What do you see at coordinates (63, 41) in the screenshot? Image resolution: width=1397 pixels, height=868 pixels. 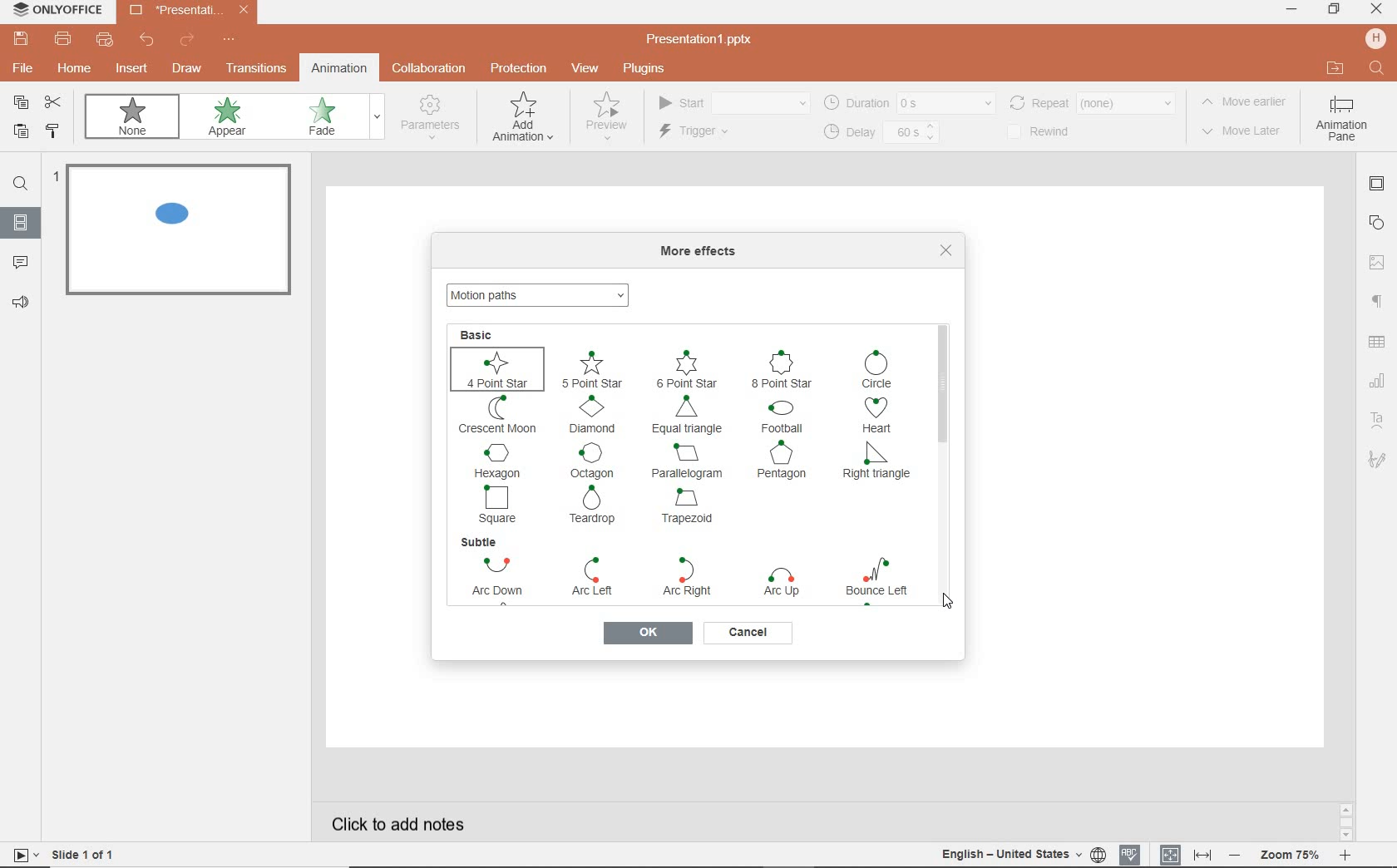 I see `print` at bounding box center [63, 41].